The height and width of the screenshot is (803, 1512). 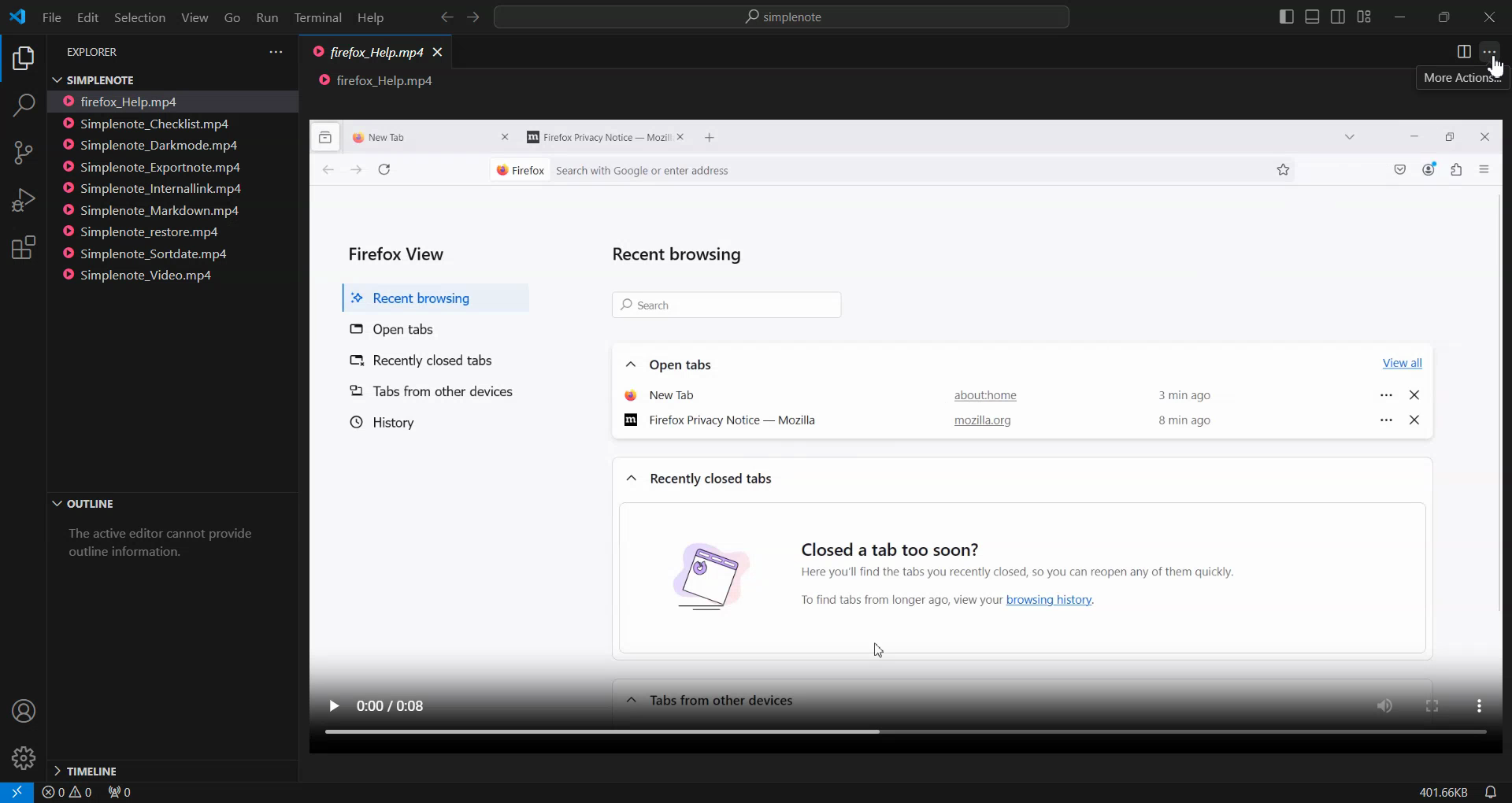 I want to click on Explorer, so click(x=22, y=60).